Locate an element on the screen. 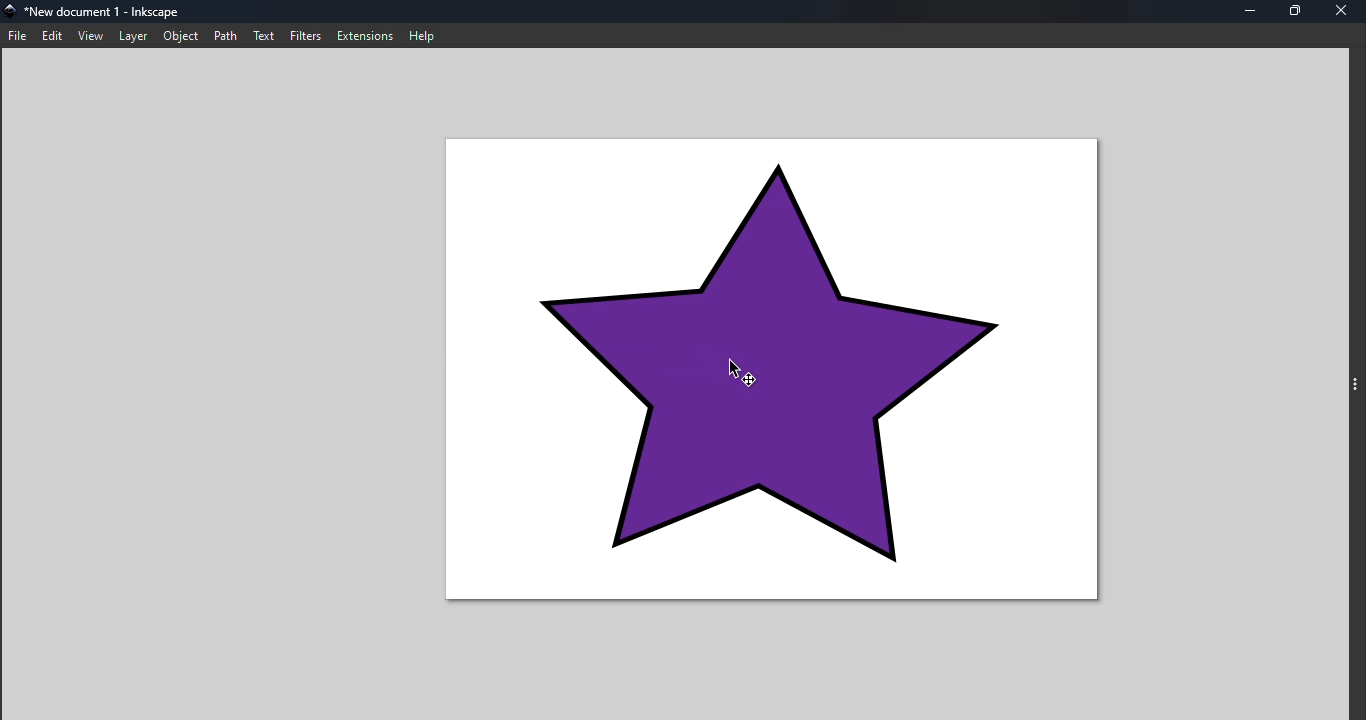 The image size is (1366, 720). File is located at coordinates (17, 36).